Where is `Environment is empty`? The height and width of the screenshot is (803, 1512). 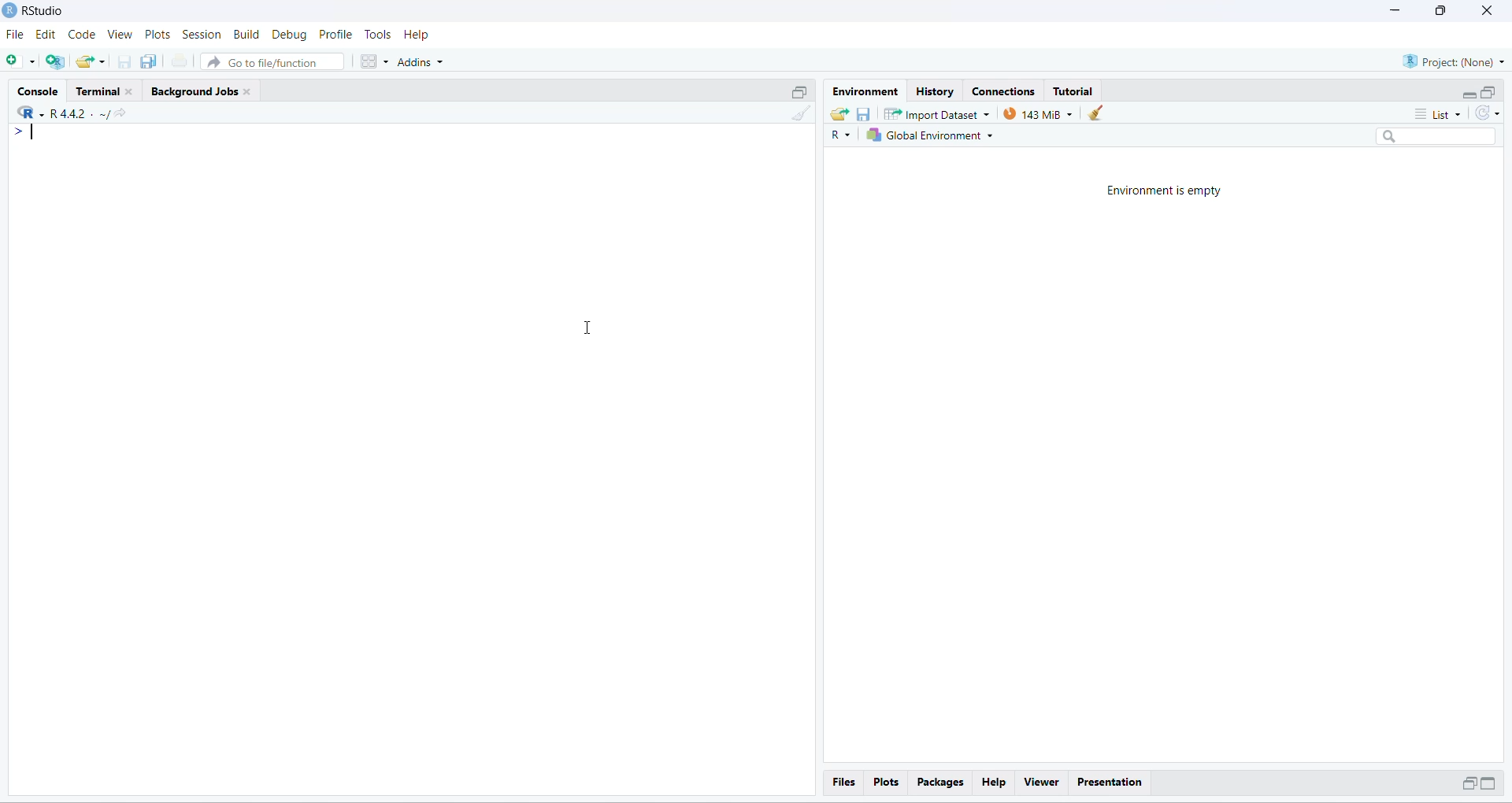
Environment is empty is located at coordinates (1165, 191).